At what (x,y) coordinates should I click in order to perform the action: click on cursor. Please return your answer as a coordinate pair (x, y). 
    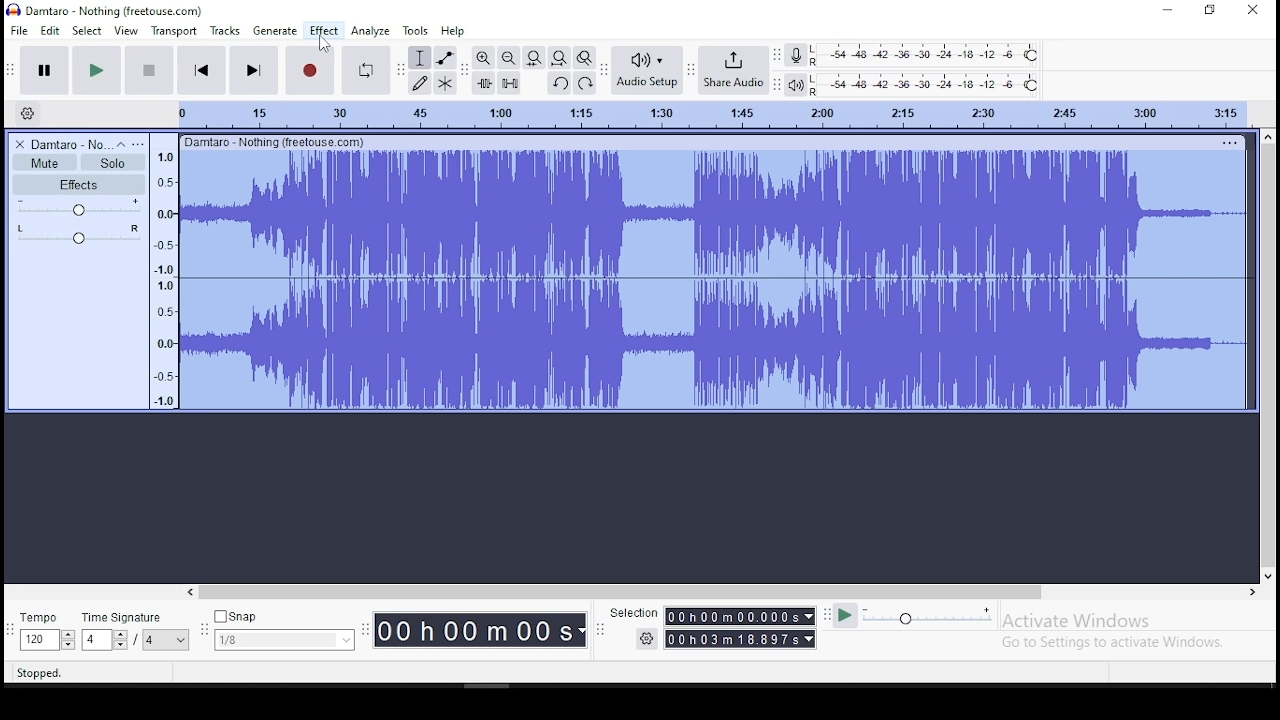
    Looking at the image, I should click on (326, 45).